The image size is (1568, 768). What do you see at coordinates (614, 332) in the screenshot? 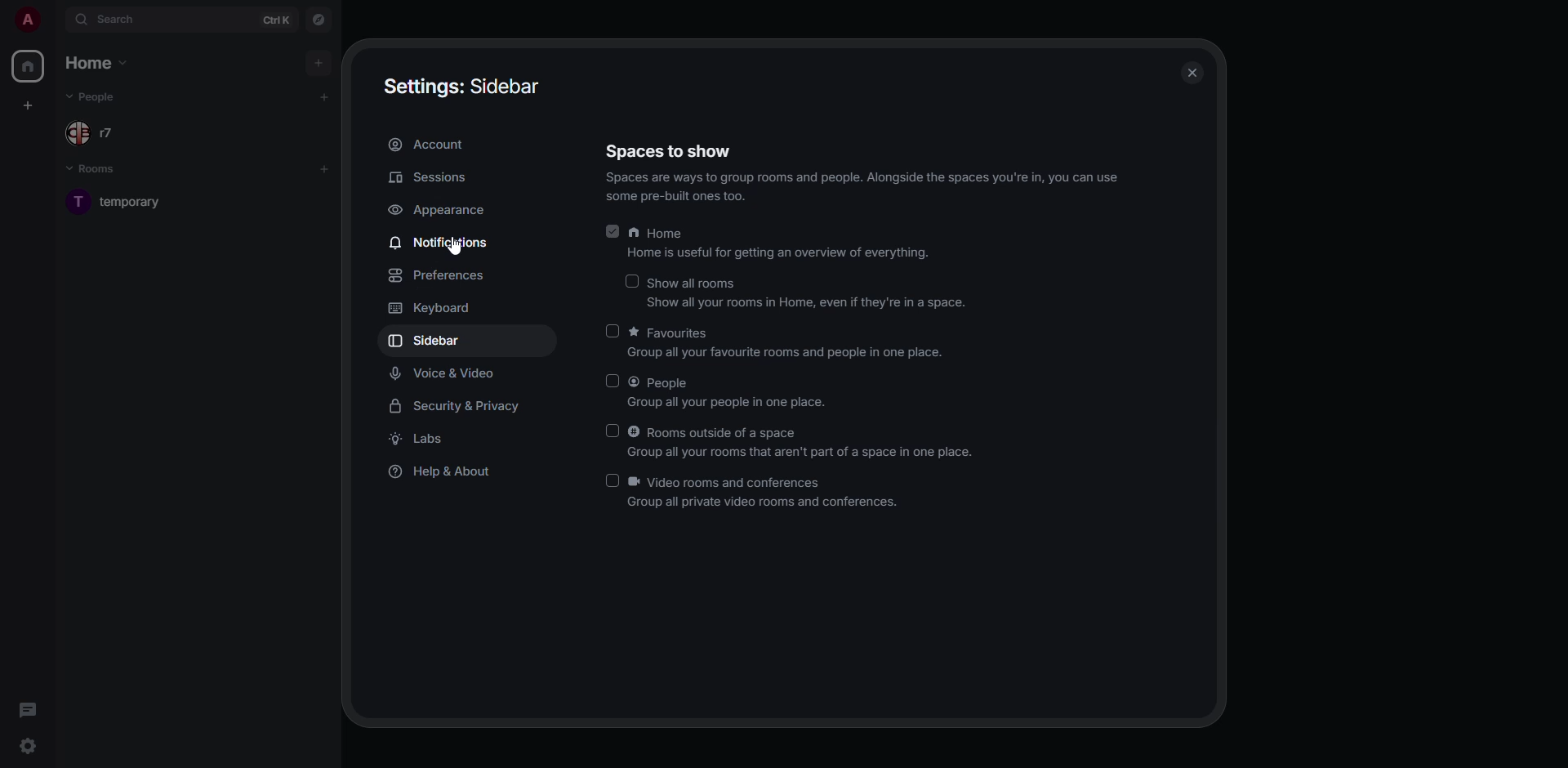
I see `click to enable` at bounding box center [614, 332].